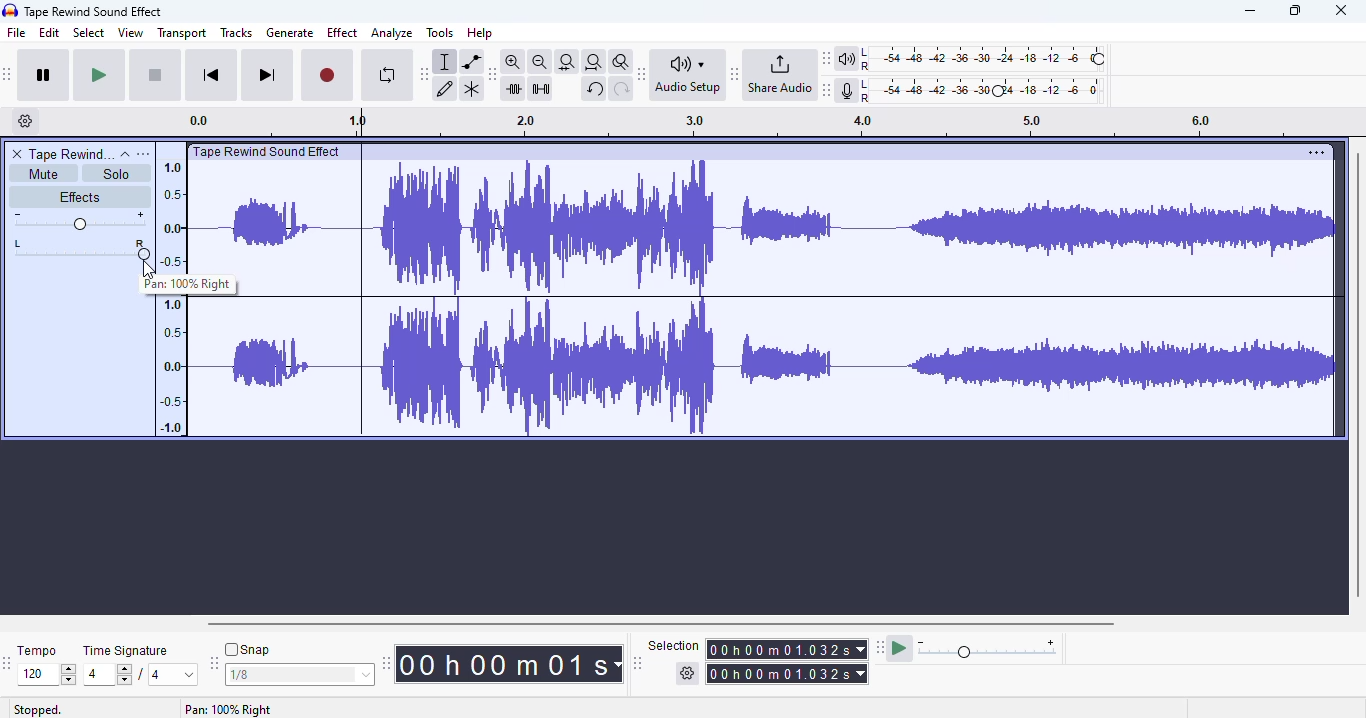  I want to click on 120, so click(46, 675).